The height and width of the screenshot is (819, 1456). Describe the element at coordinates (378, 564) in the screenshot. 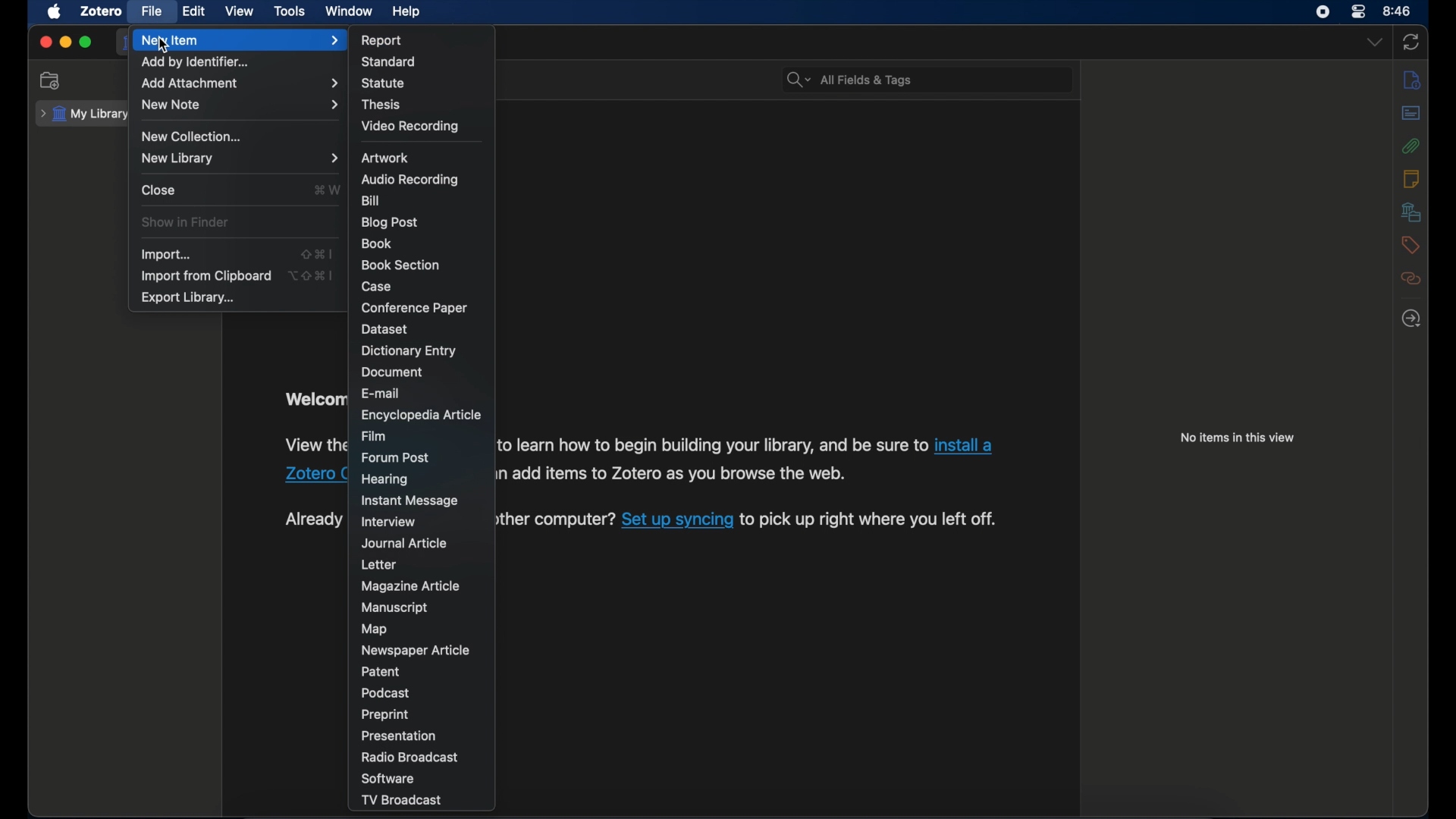

I see `letter` at that location.